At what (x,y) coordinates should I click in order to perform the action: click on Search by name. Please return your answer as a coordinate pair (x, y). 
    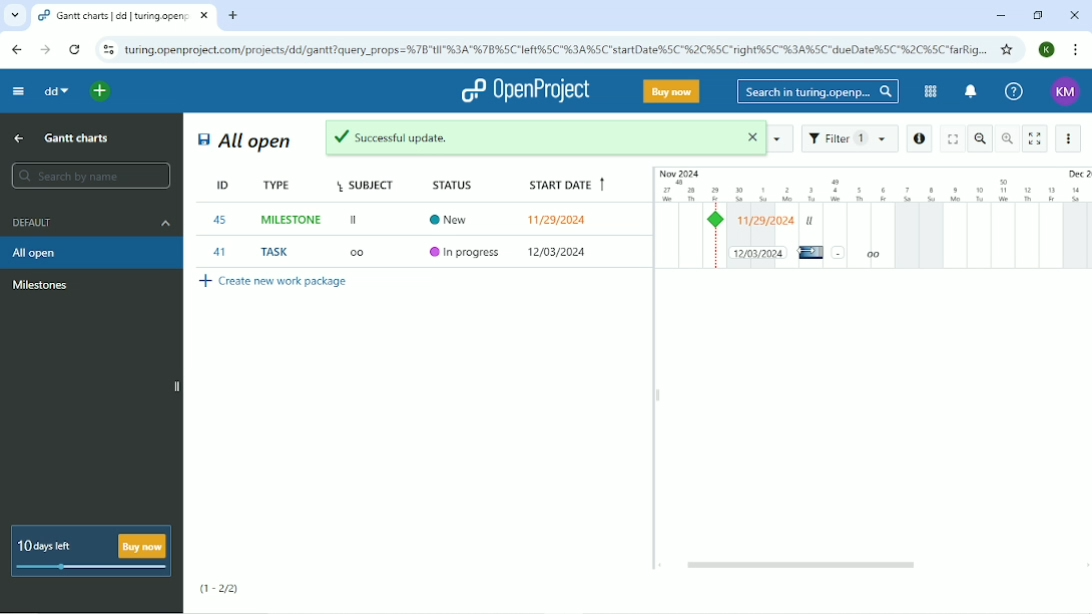
    Looking at the image, I should click on (89, 175).